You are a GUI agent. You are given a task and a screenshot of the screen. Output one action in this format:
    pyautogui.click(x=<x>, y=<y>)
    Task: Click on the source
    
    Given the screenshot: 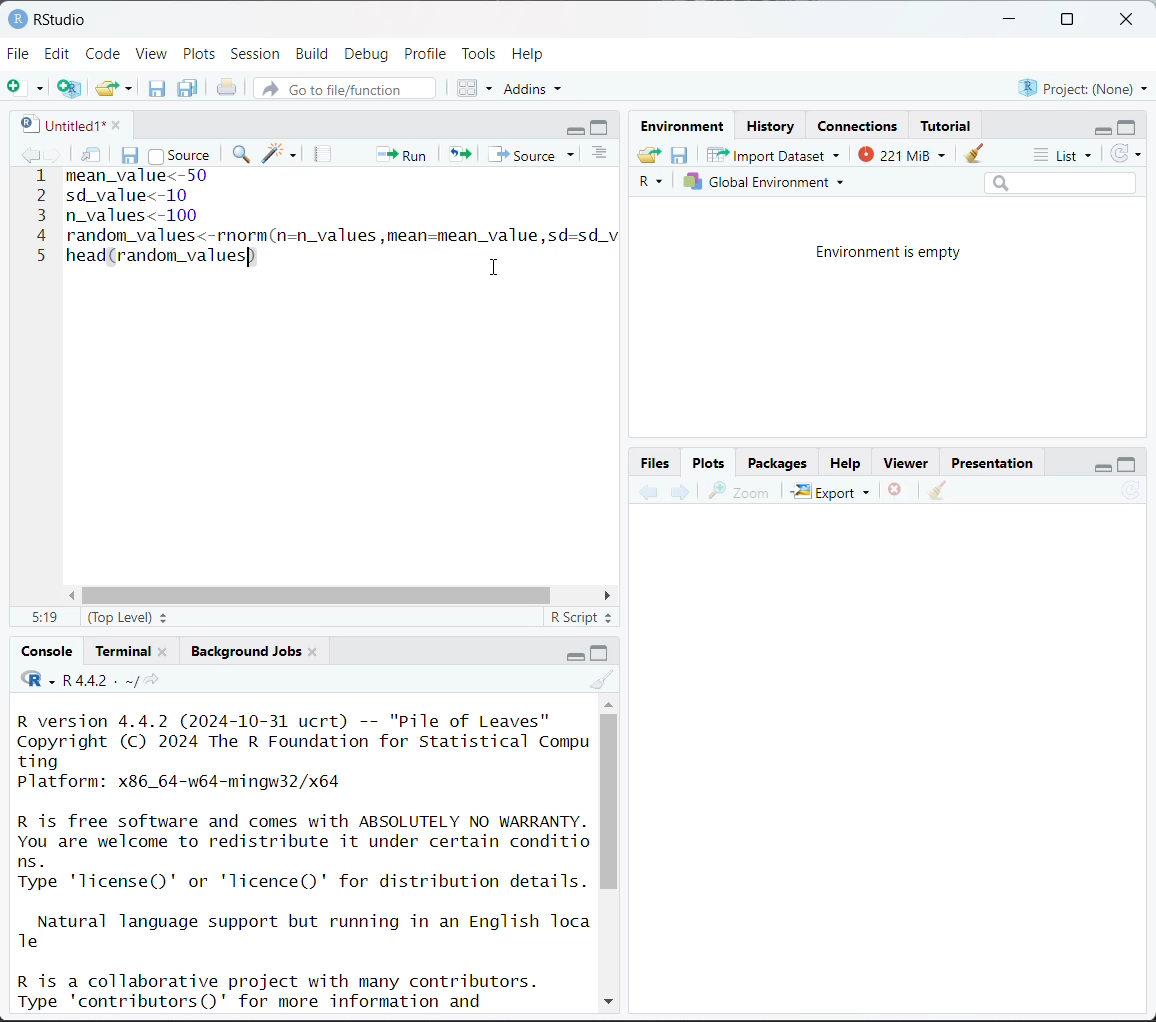 What is the action you would take?
    pyautogui.click(x=179, y=153)
    